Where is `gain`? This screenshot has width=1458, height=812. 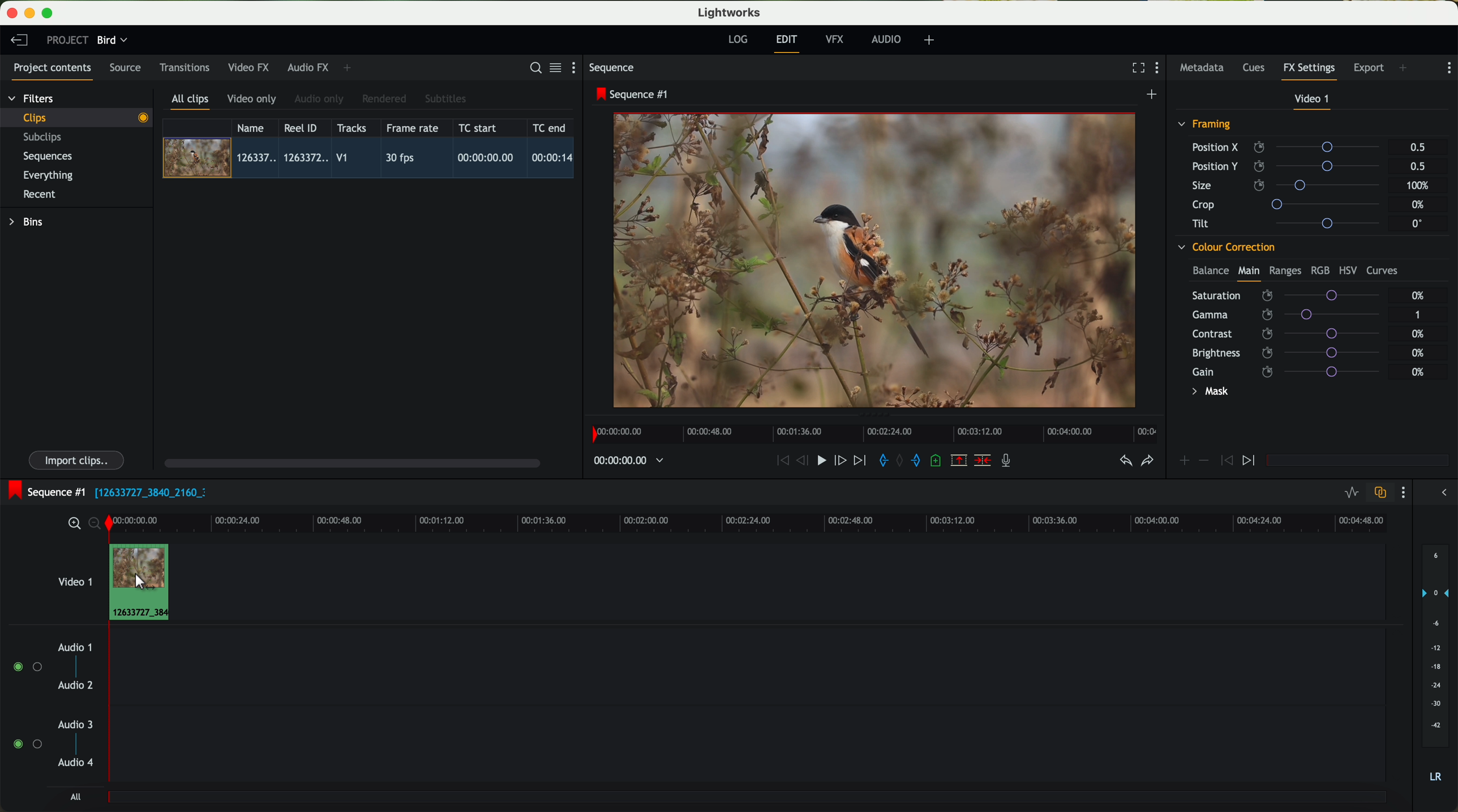 gain is located at coordinates (1293, 371).